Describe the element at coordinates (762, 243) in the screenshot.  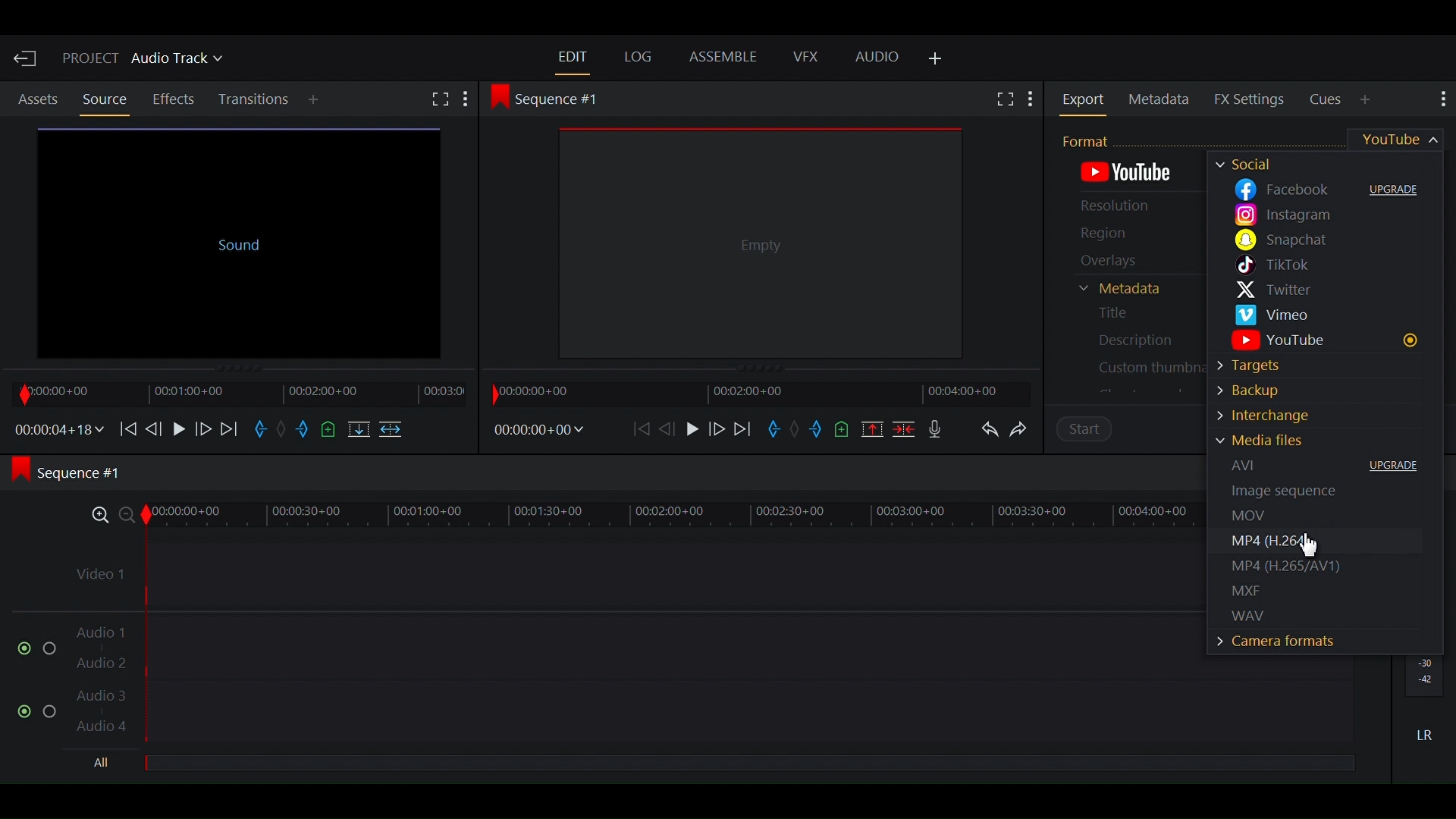
I see `Media Viewer` at that location.